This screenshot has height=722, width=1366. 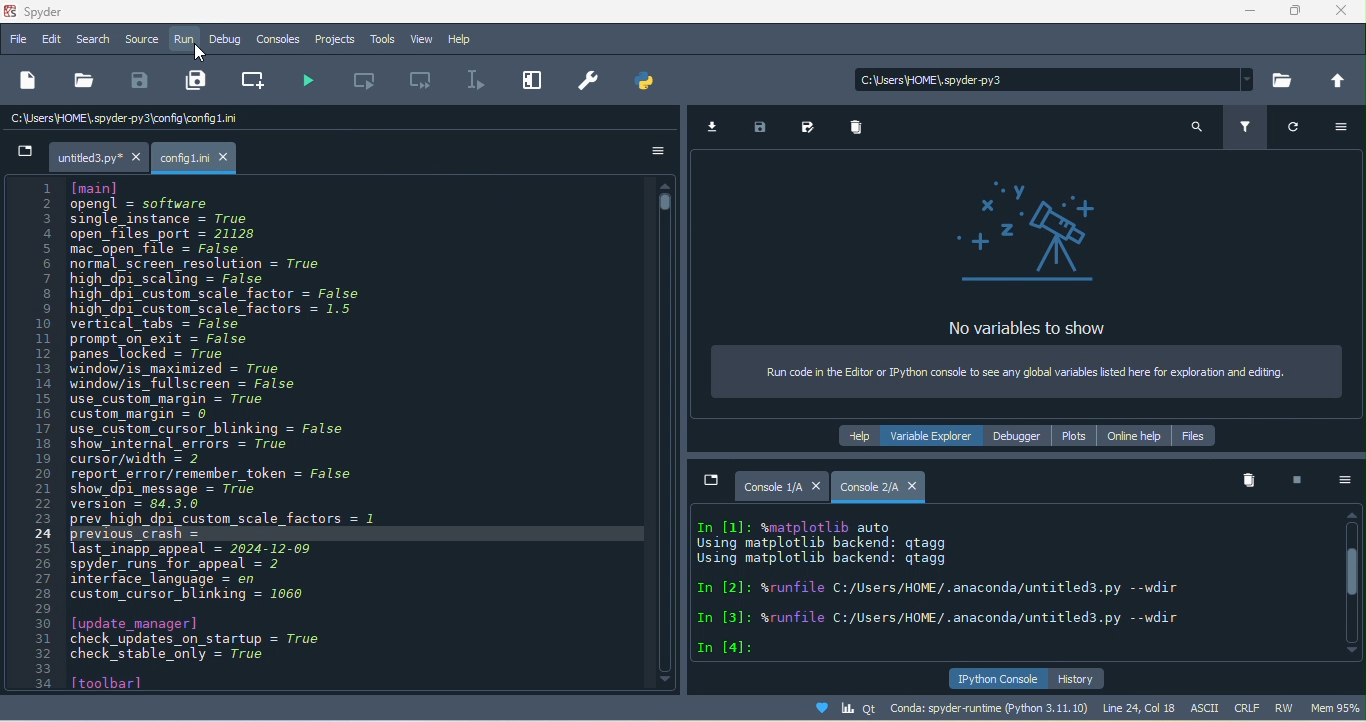 I want to click on preferences, so click(x=586, y=85).